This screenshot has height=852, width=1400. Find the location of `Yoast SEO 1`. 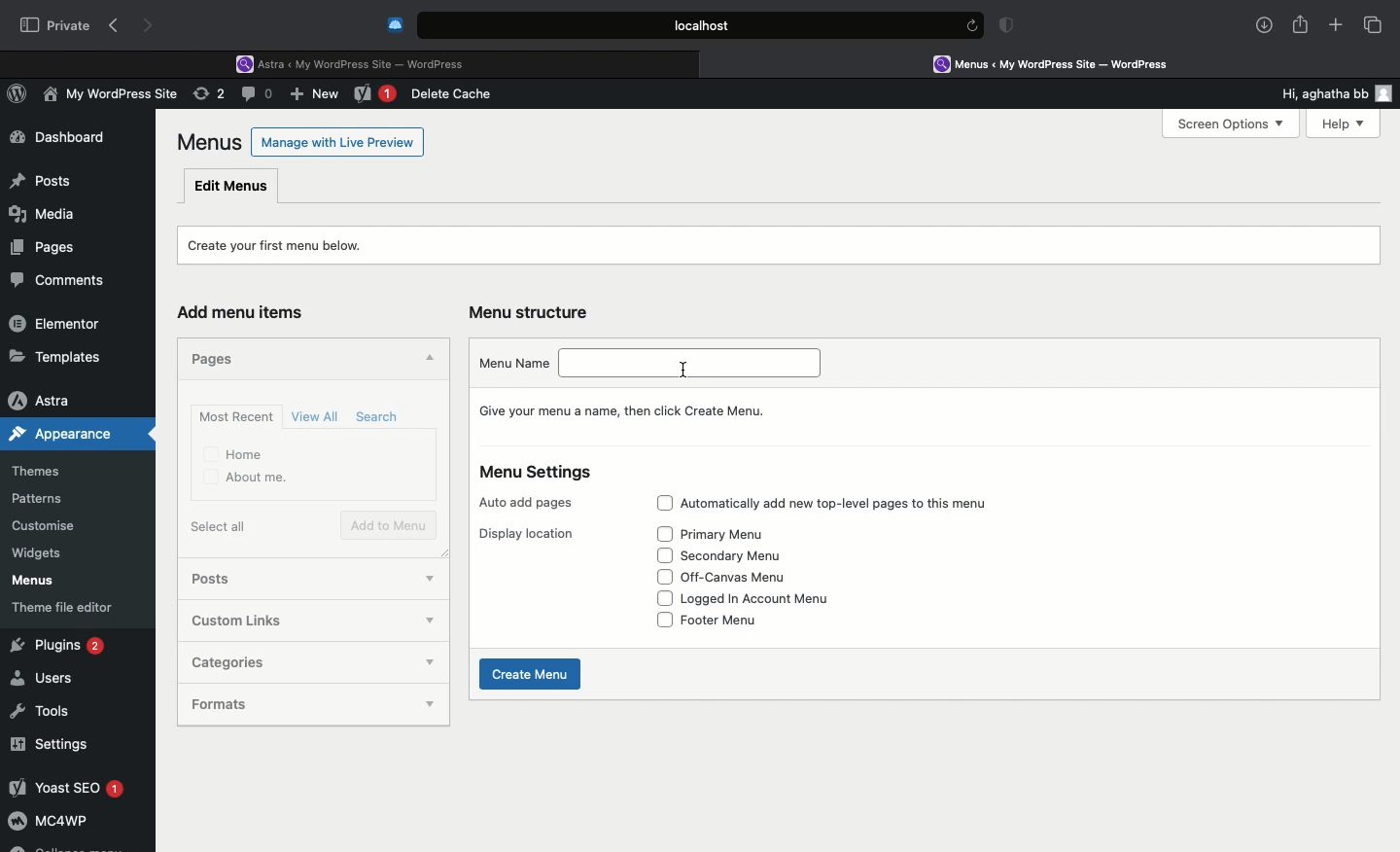

Yoast SEO 1 is located at coordinates (65, 787).